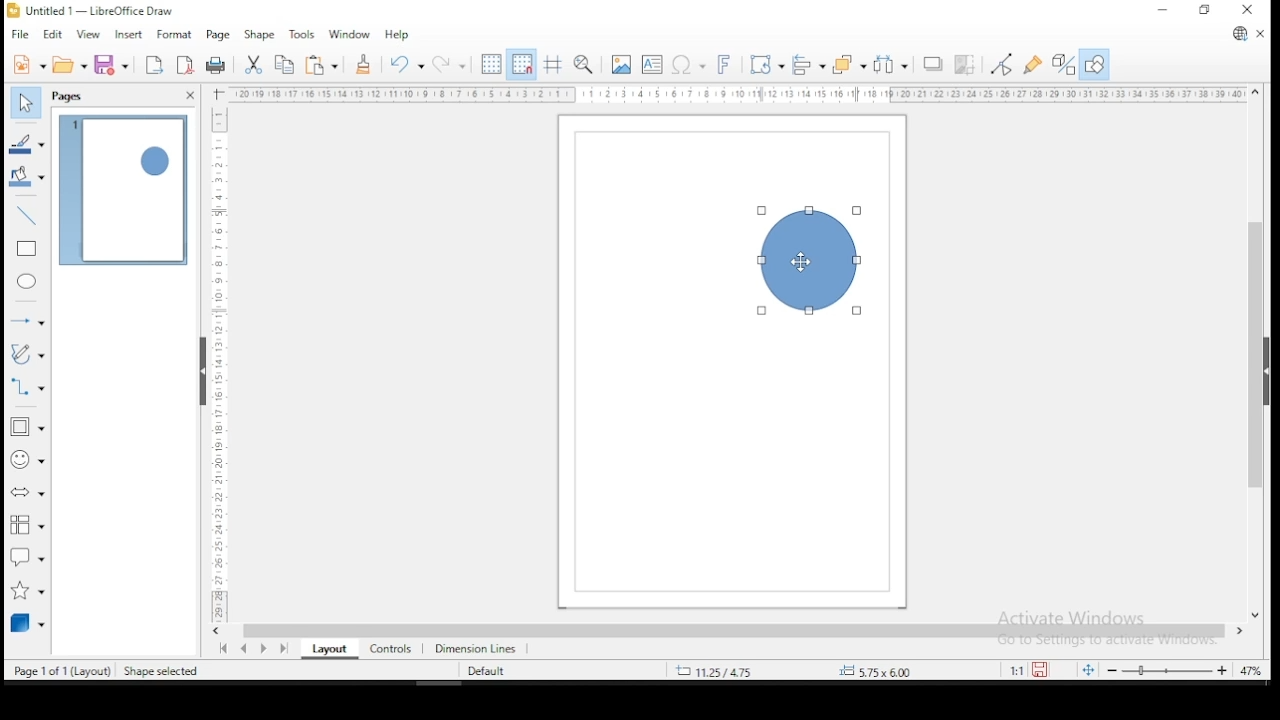 This screenshot has width=1280, height=720. What do you see at coordinates (1033, 66) in the screenshot?
I see `show gluepoint functions` at bounding box center [1033, 66].